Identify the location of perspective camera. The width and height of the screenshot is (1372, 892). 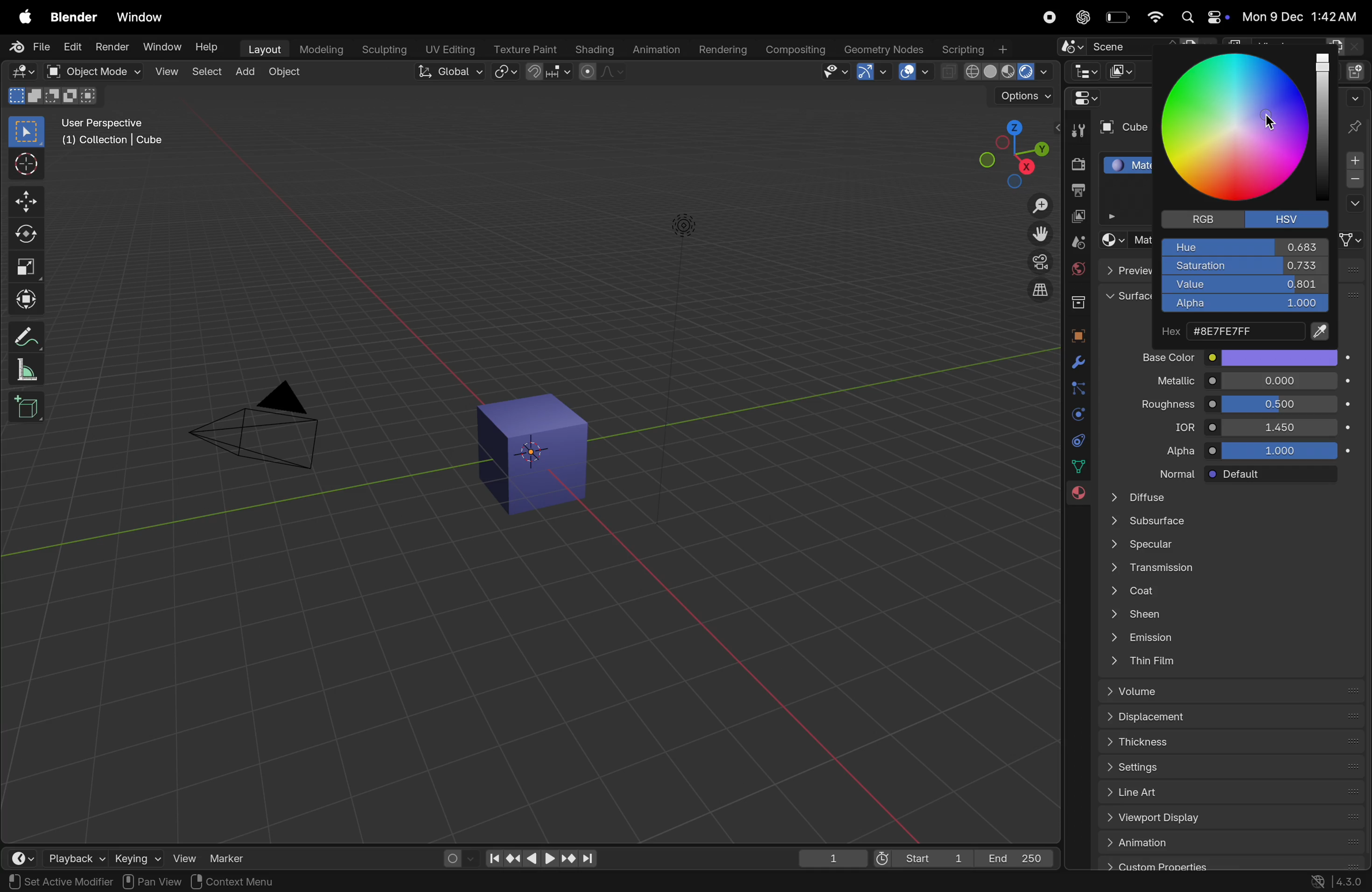
(261, 428).